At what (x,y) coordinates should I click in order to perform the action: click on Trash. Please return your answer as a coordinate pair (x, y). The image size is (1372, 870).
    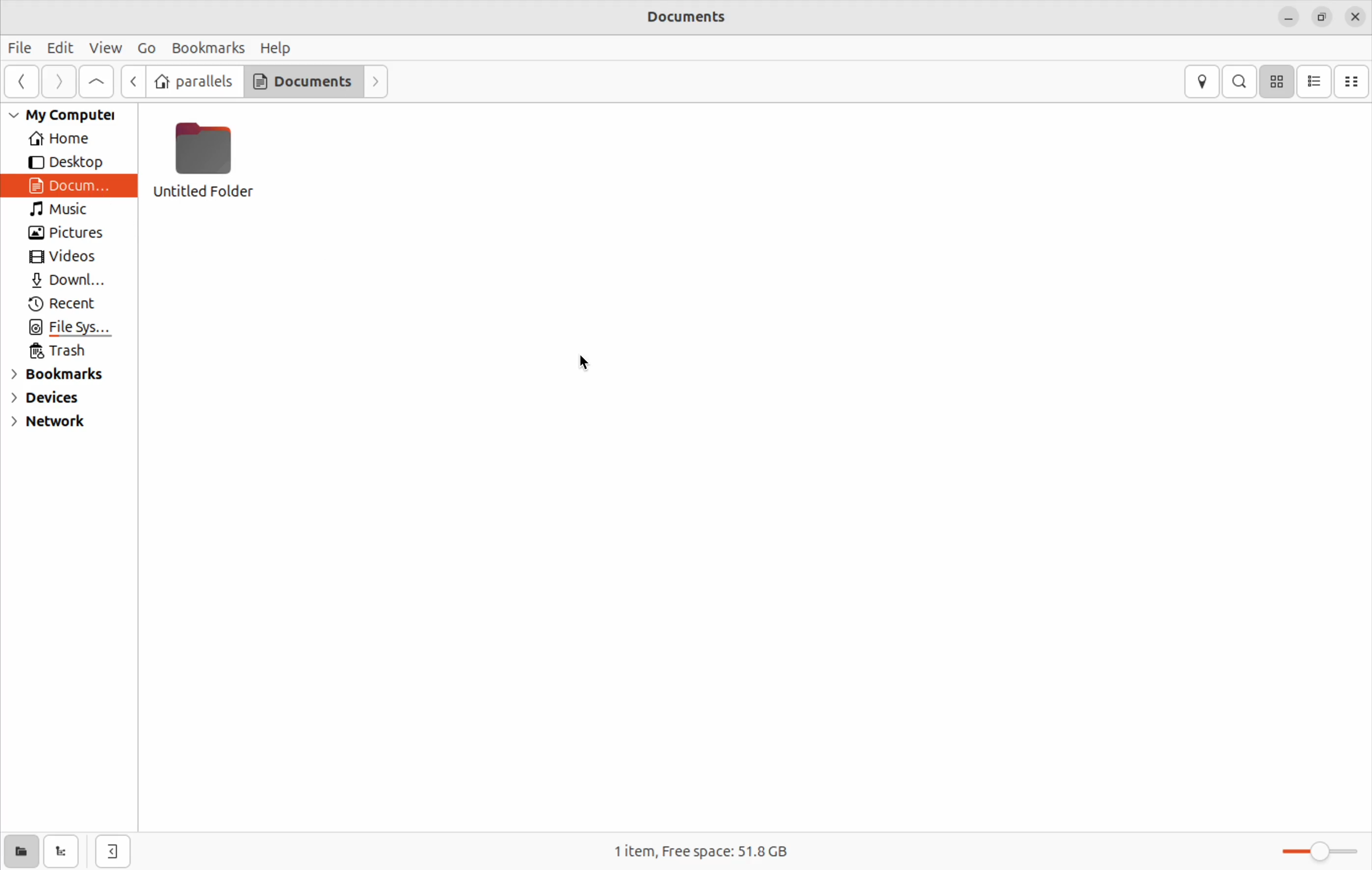
    Looking at the image, I should click on (56, 353).